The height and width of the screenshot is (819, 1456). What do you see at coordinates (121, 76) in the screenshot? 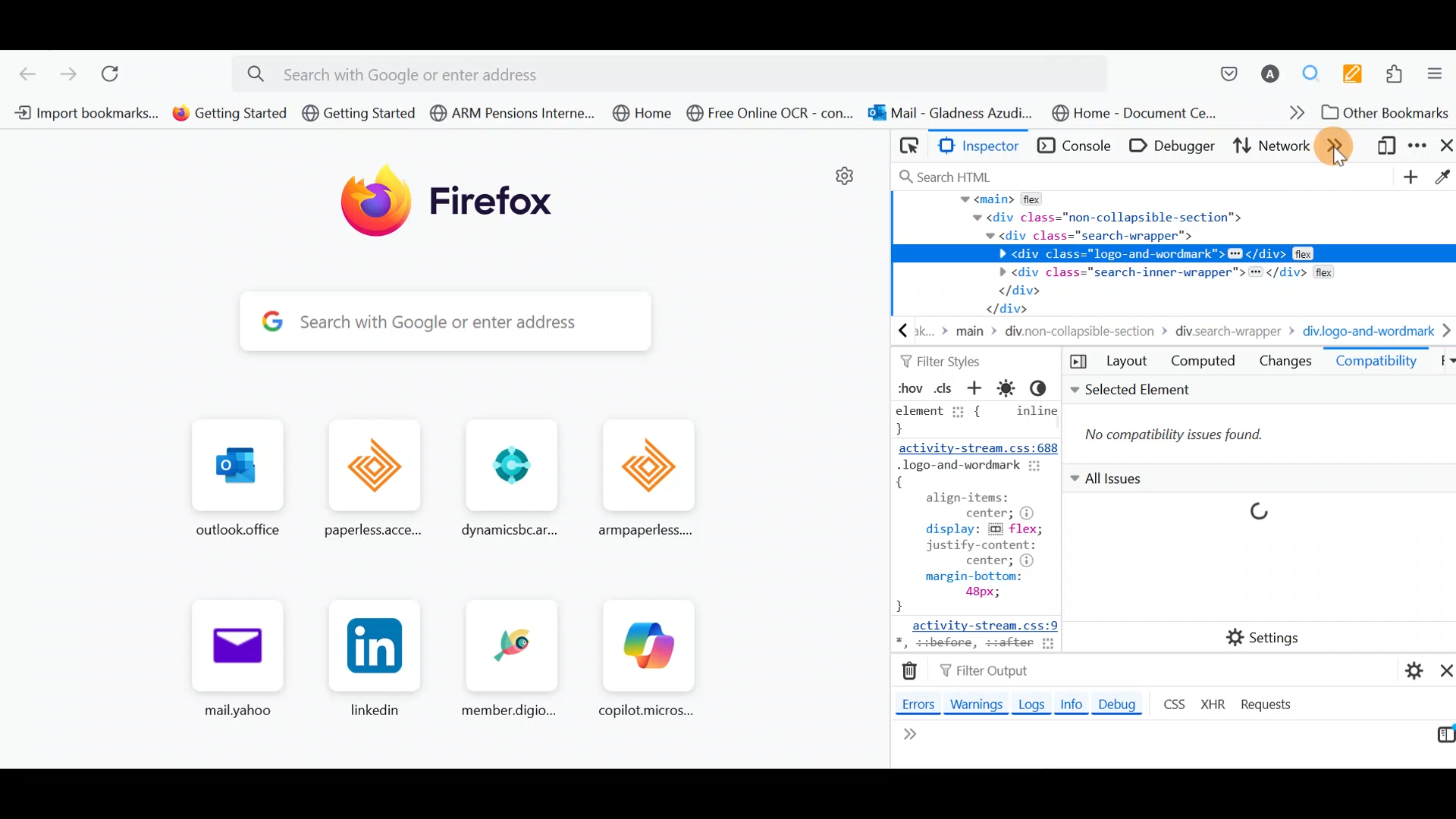
I see `Reload current page` at bounding box center [121, 76].